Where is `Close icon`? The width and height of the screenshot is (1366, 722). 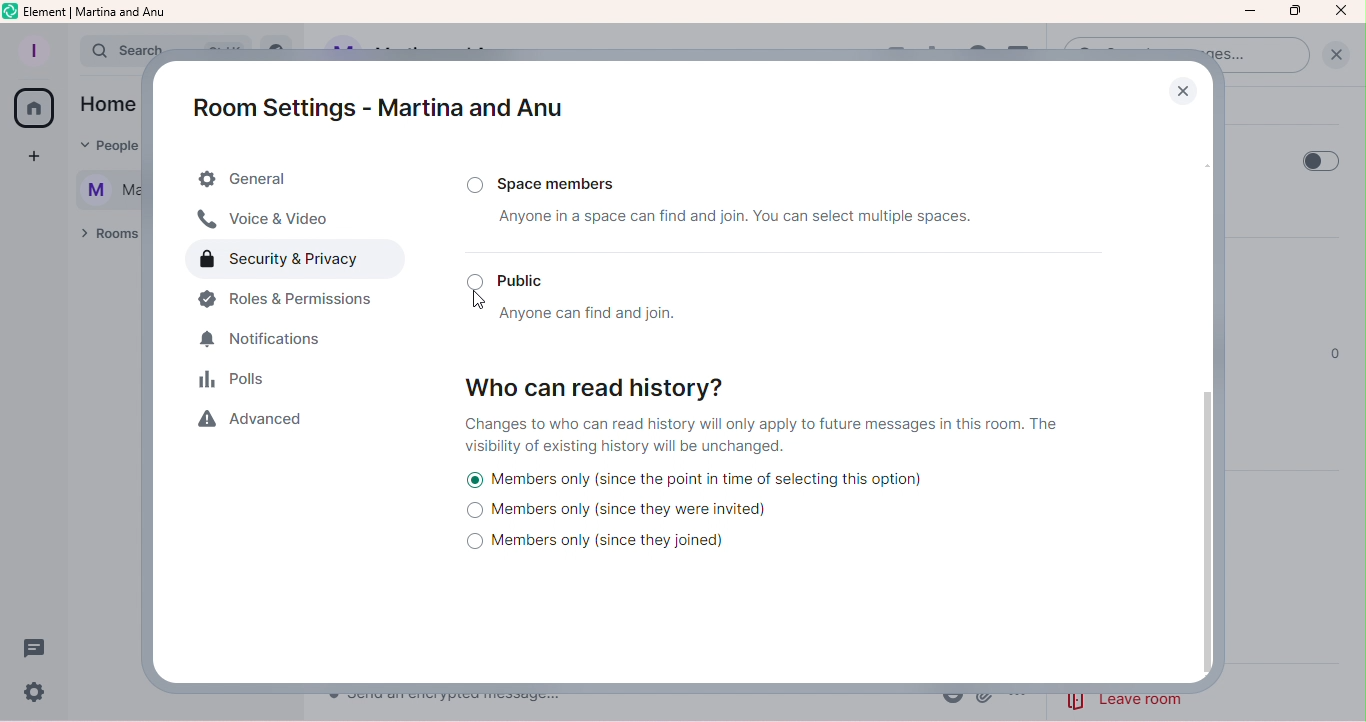
Close icon is located at coordinates (1341, 12).